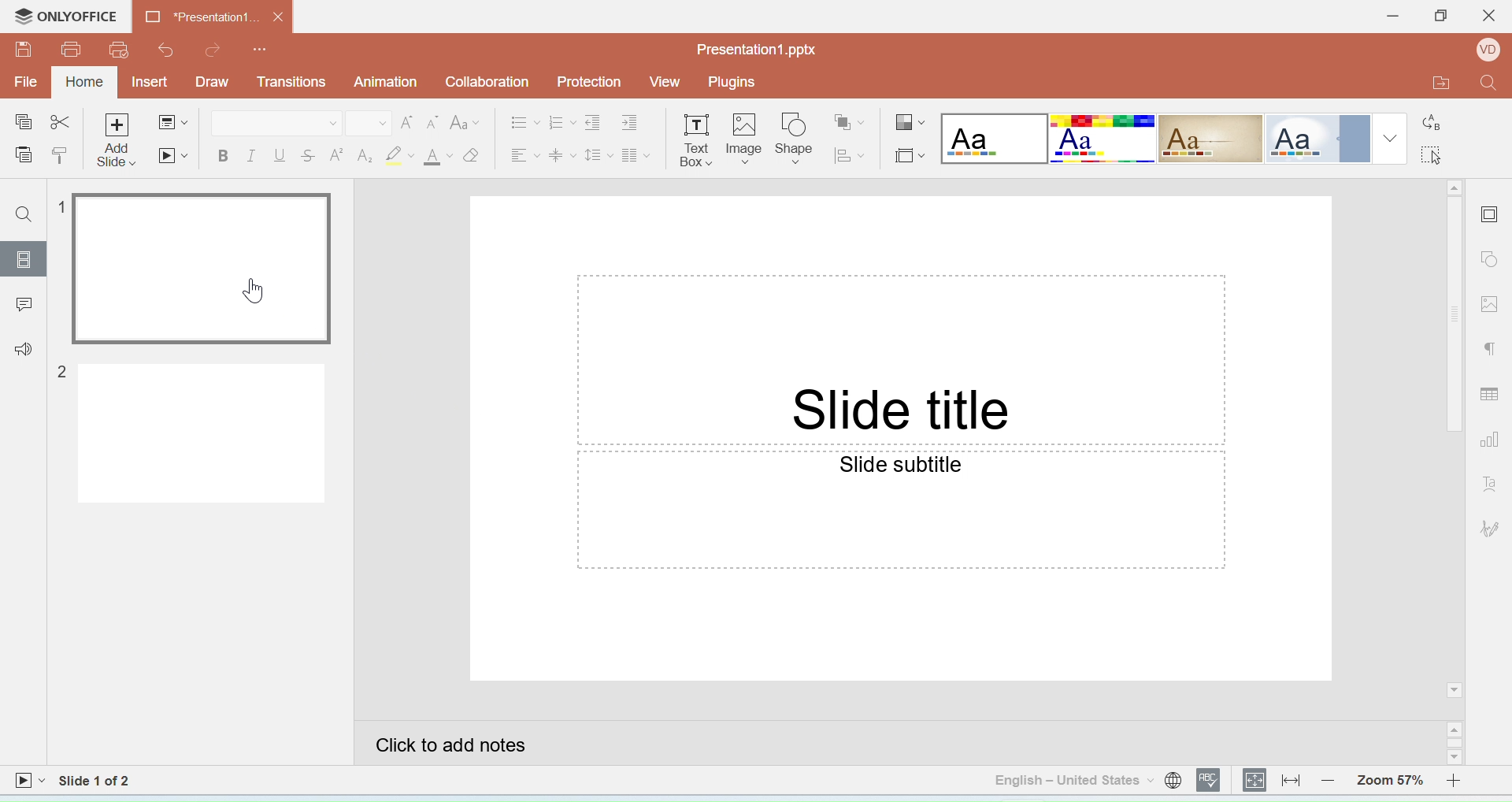 Image resolution: width=1512 pixels, height=802 pixels. What do you see at coordinates (214, 50) in the screenshot?
I see `Redo` at bounding box center [214, 50].